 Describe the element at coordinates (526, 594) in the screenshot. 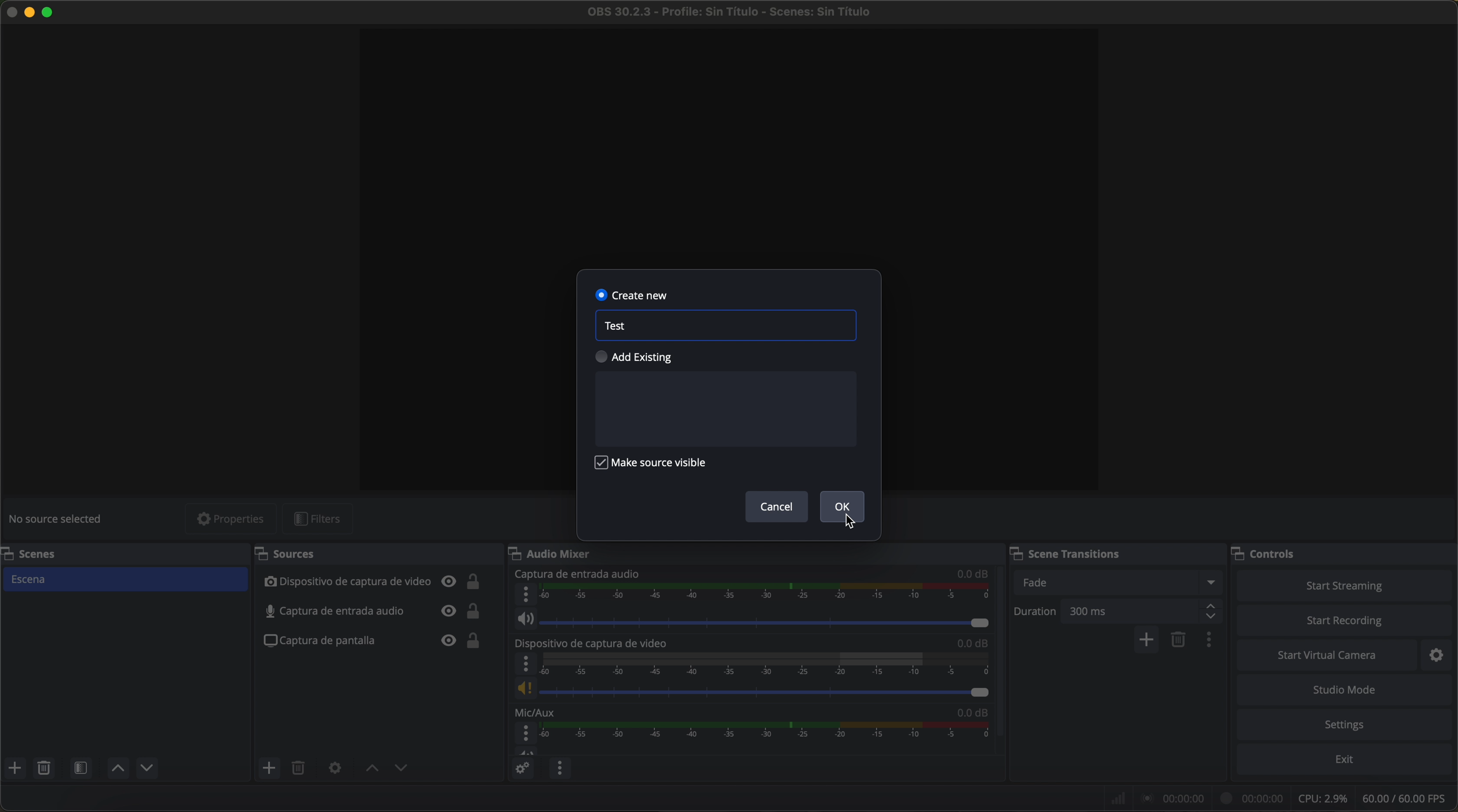

I see `more options` at that location.